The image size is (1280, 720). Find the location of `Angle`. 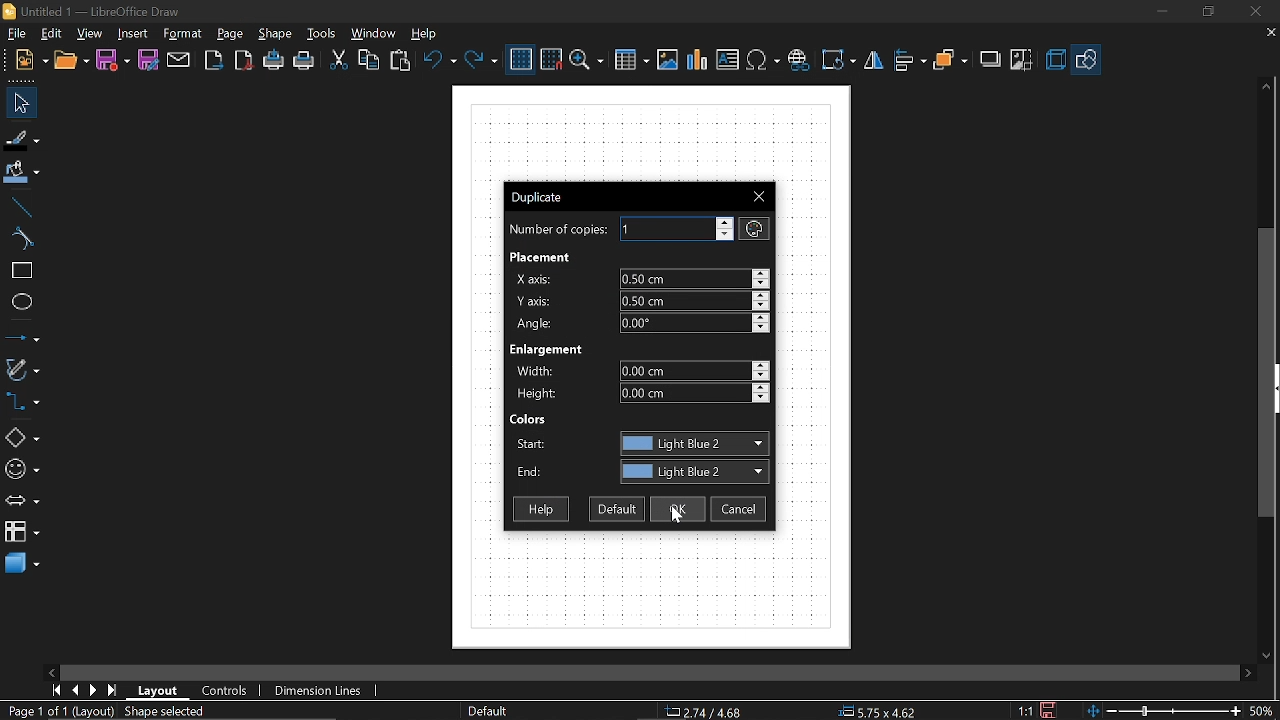

Angle is located at coordinates (537, 323).